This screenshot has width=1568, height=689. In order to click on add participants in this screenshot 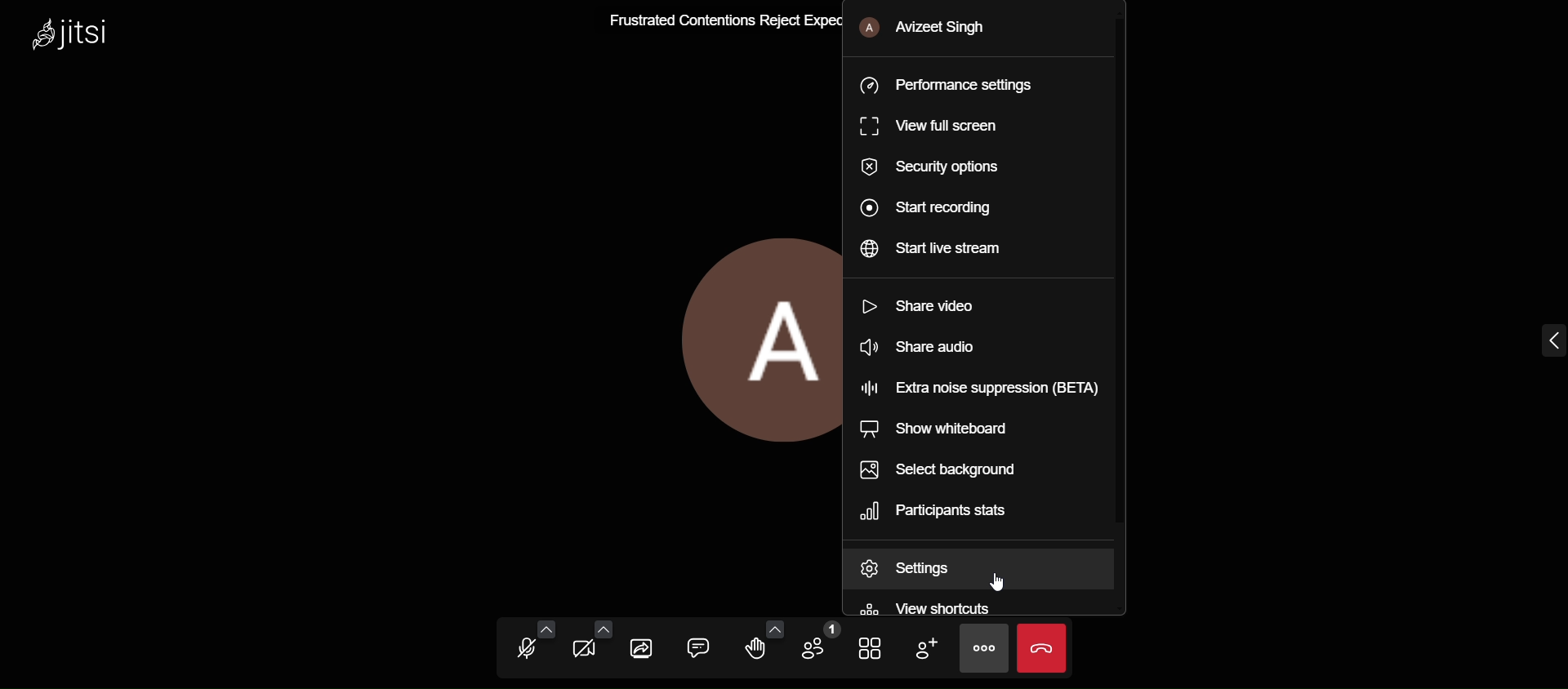, I will do `click(921, 646)`.